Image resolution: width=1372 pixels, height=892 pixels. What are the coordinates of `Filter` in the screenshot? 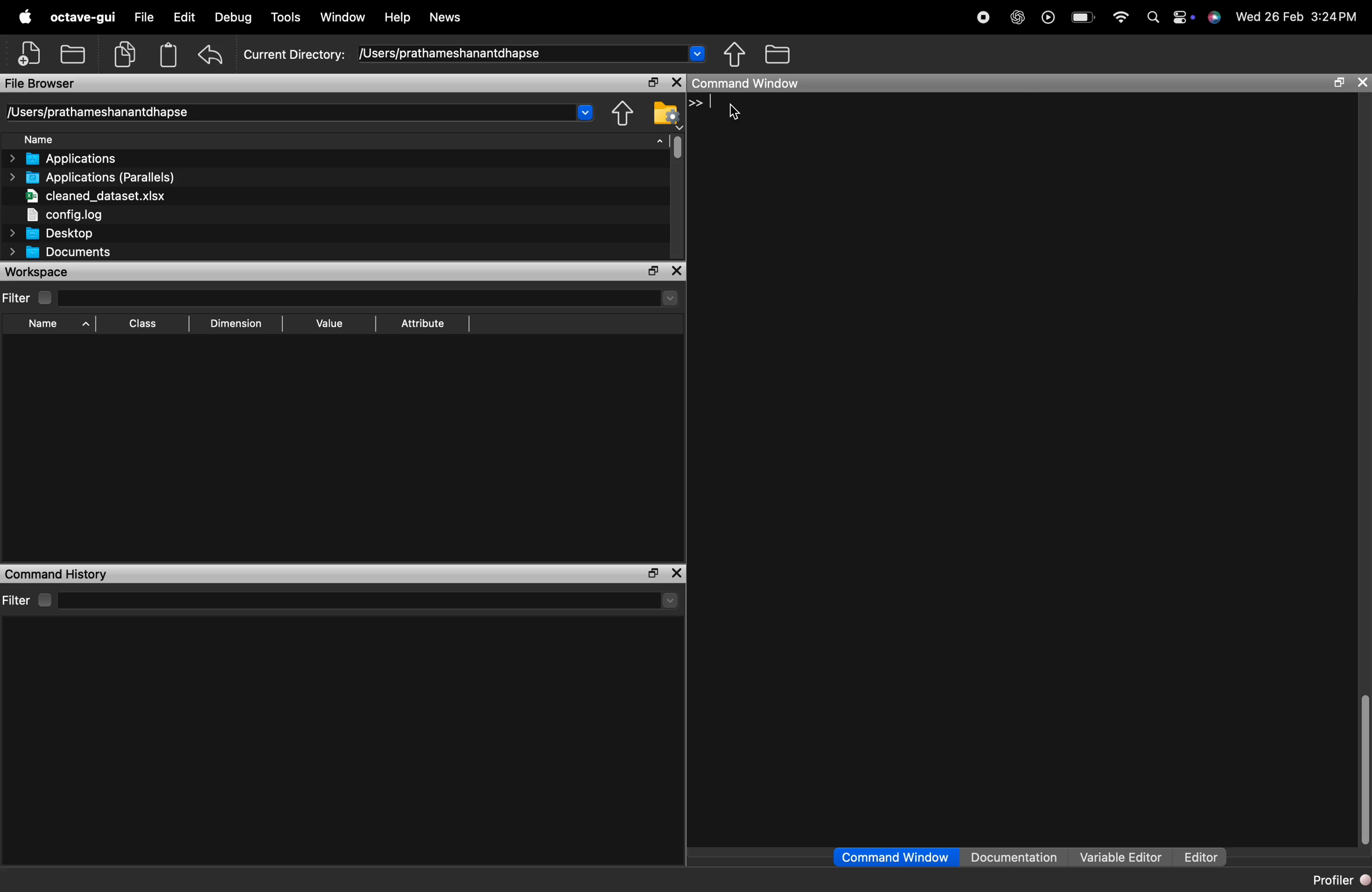 It's located at (27, 297).